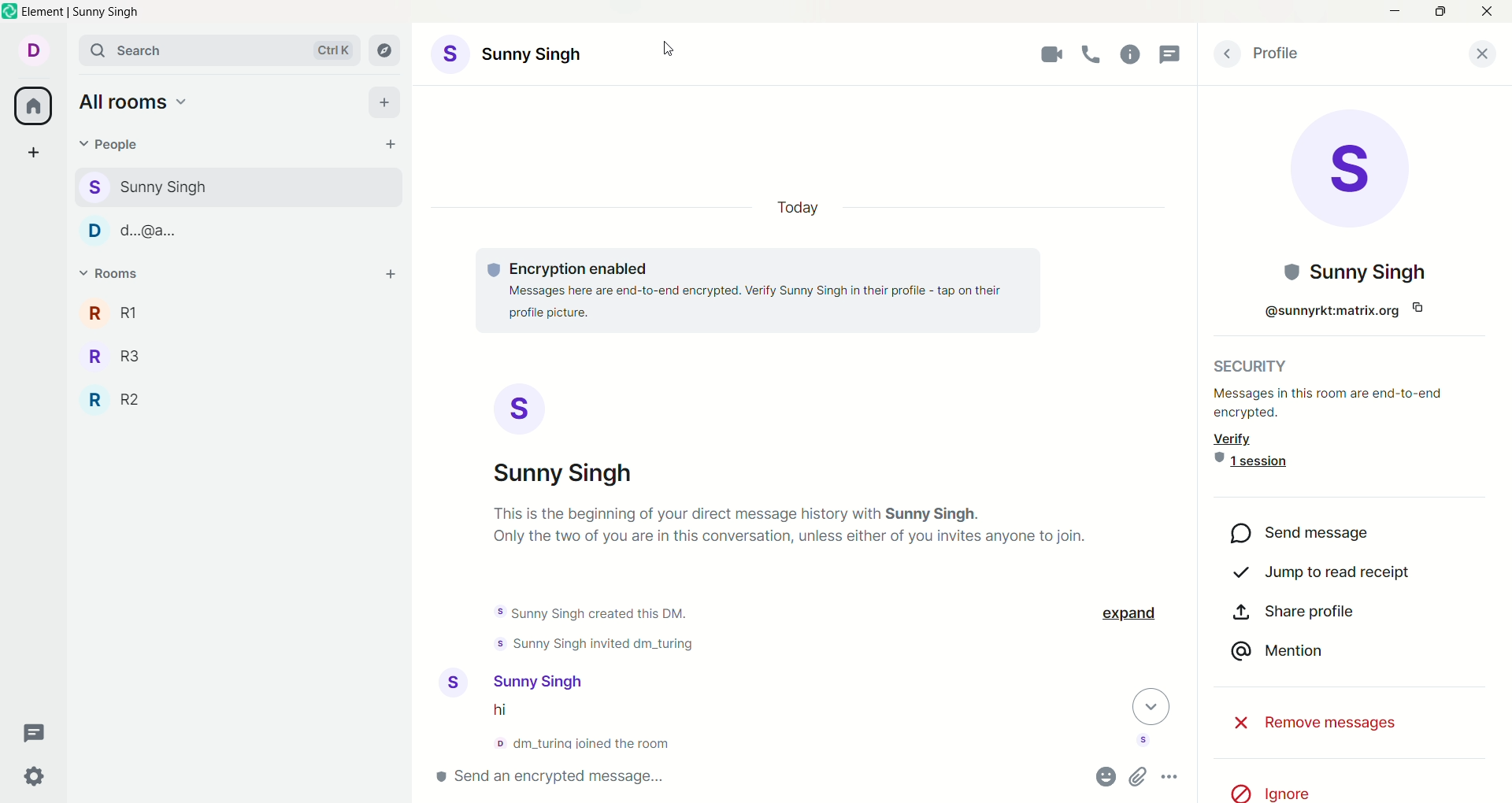 Image resolution: width=1512 pixels, height=803 pixels. Describe the element at coordinates (1284, 790) in the screenshot. I see `ignore` at that location.